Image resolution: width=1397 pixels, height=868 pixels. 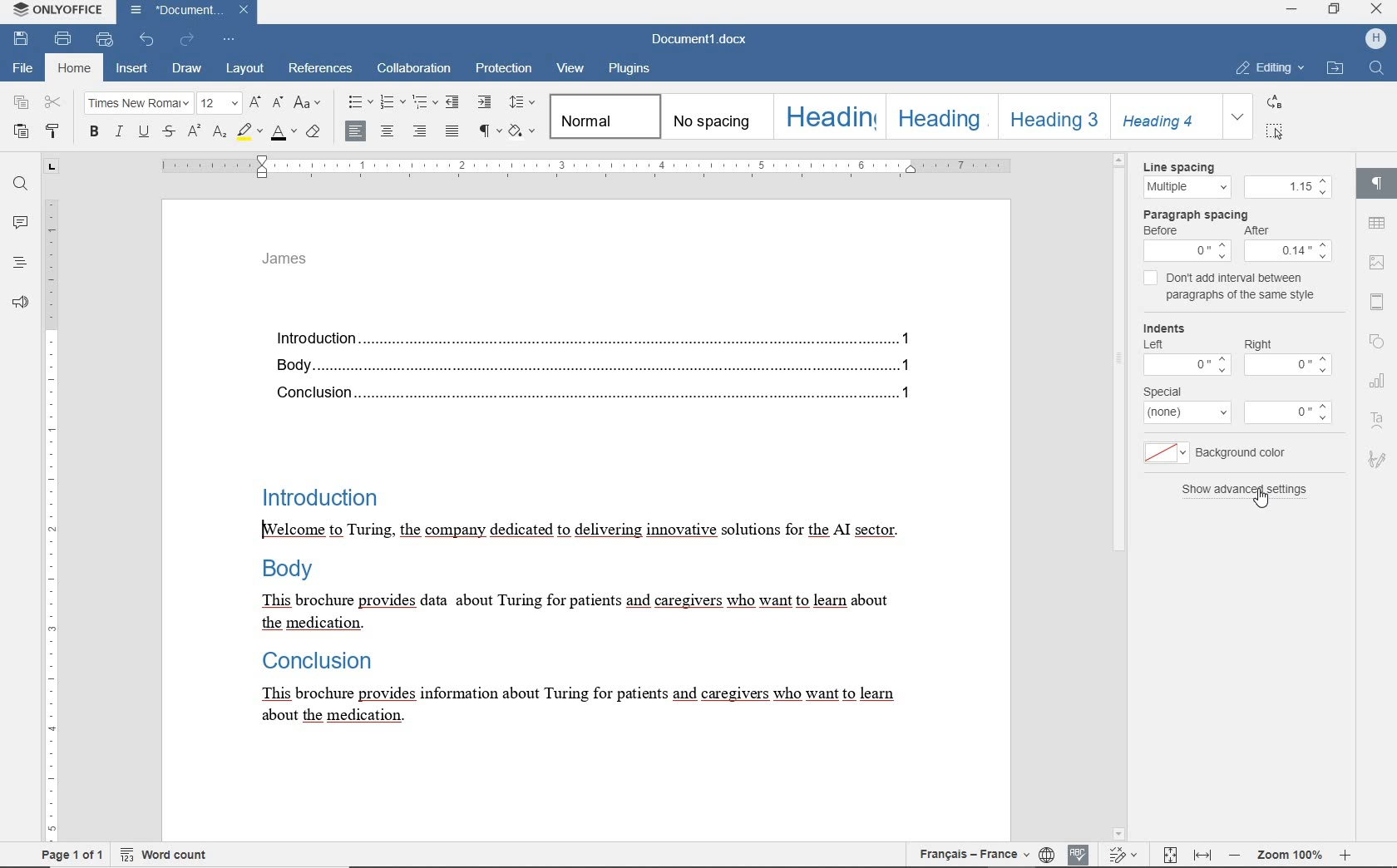 What do you see at coordinates (23, 40) in the screenshot?
I see `save` at bounding box center [23, 40].